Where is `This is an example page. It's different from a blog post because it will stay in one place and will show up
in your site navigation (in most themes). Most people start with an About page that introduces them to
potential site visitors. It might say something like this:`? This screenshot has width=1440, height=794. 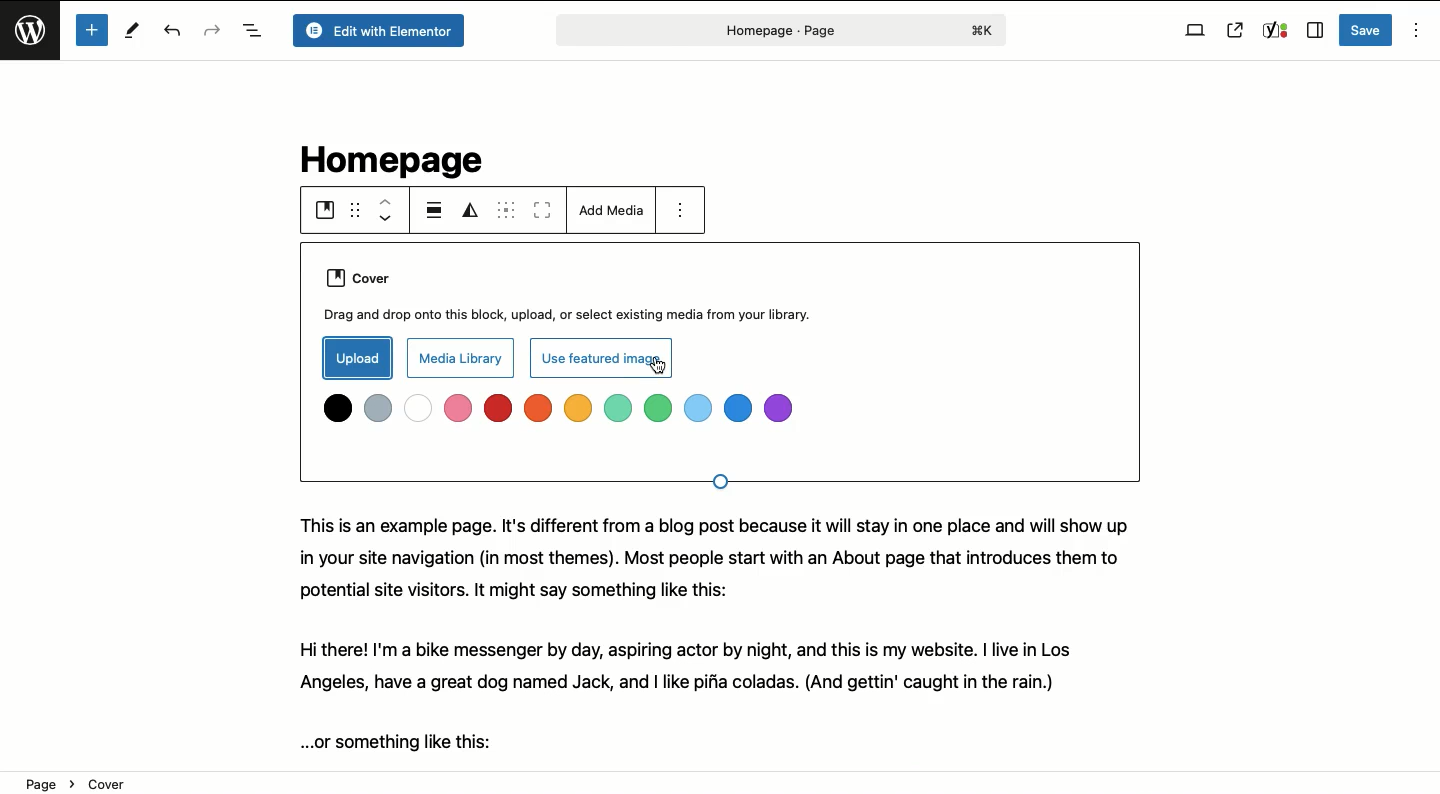 This is an example page. It's different from a blog post because it will stay in one place and will show up
in your site navigation (in most themes). Most people start with an About page that introduces them to
potential site visitors. It might say something like this: is located at coordinates (726, 562).